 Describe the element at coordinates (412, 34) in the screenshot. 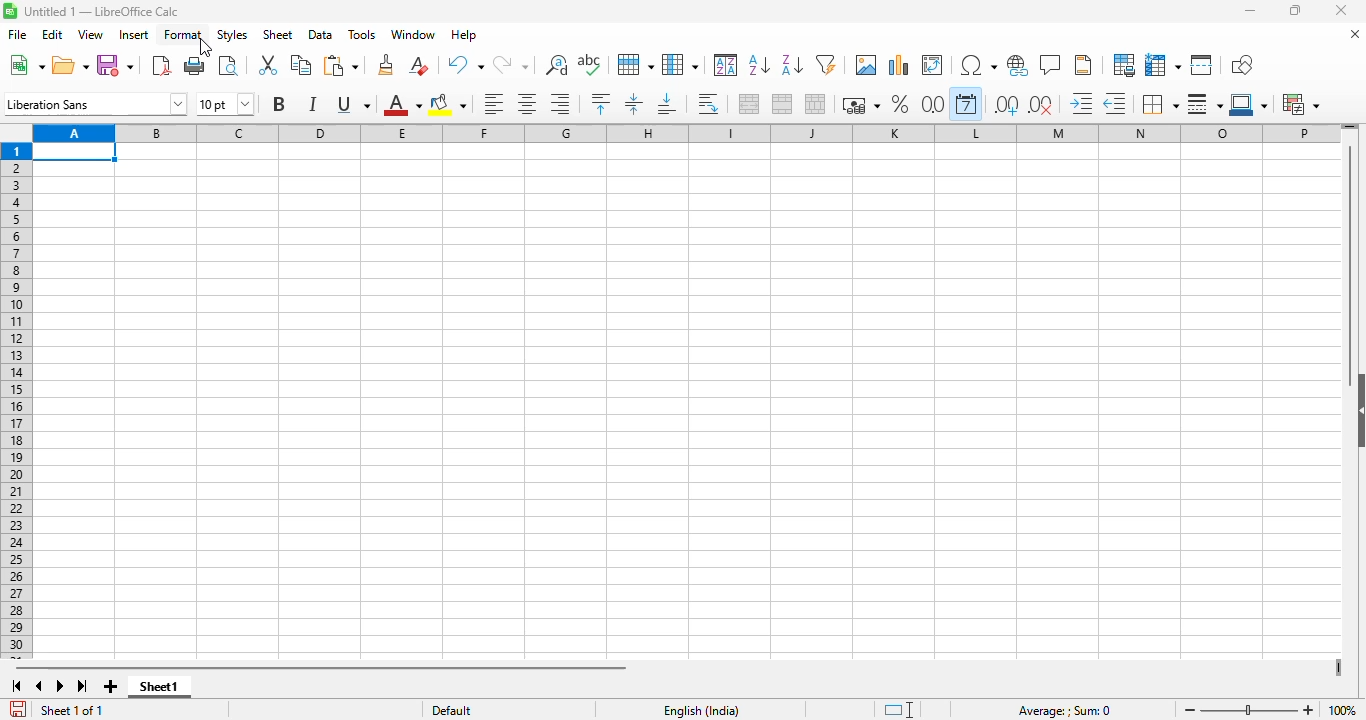

I see `window` at that location.